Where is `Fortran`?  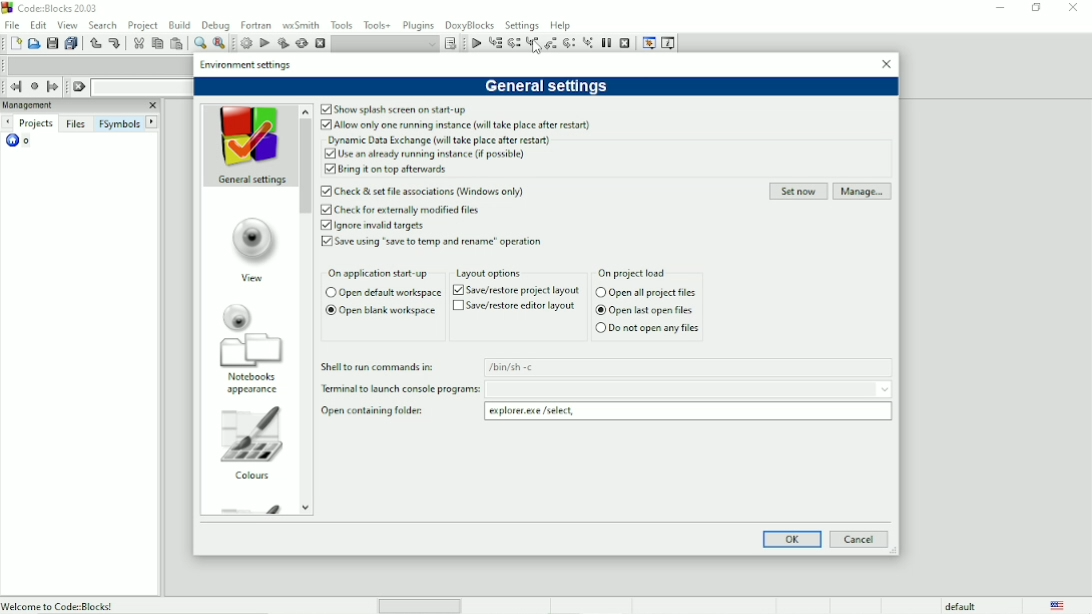 Fortran is located at coordinates (255, 25).